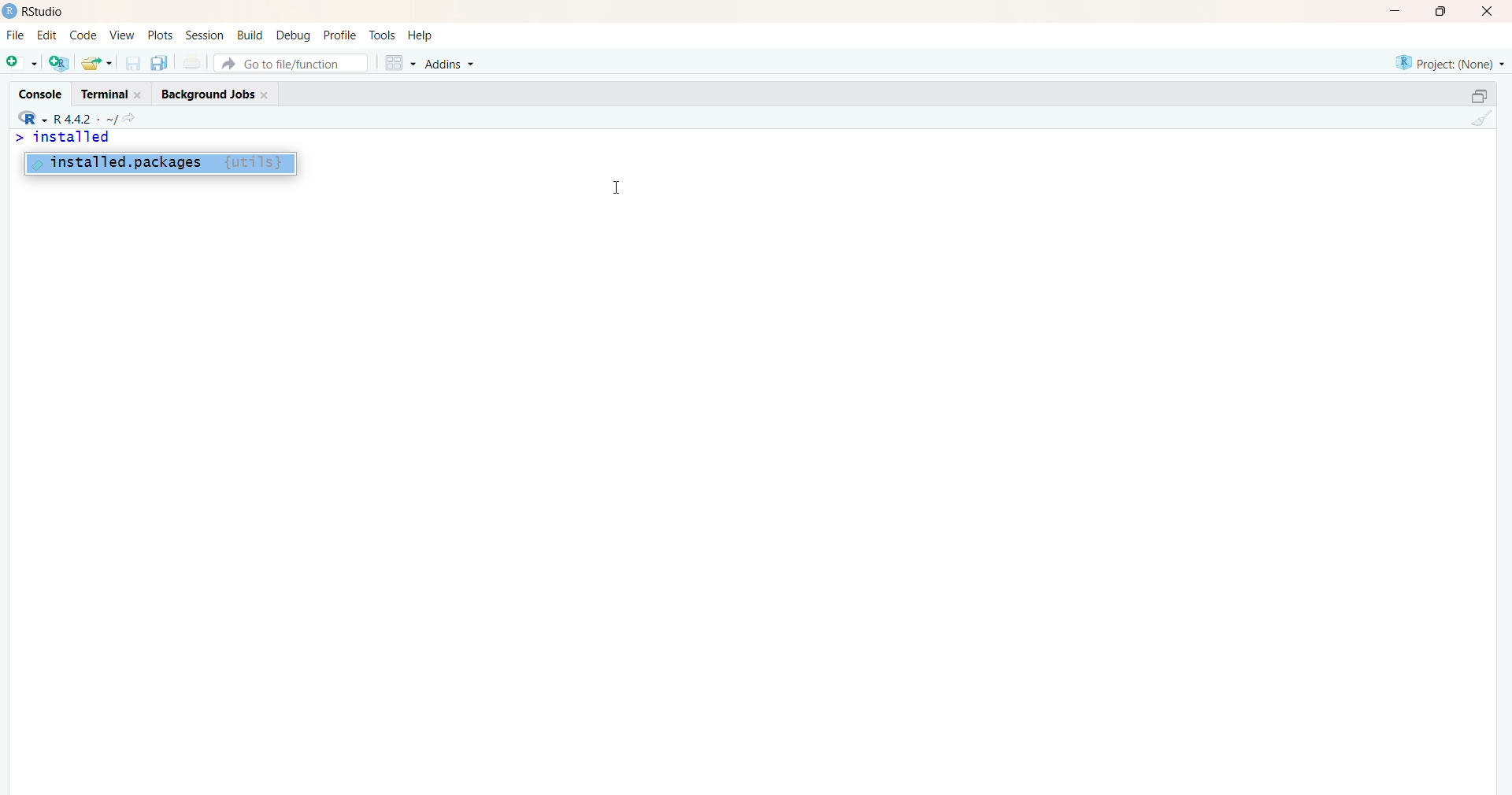  Describe the element at coordinates (111, 93) in the screenshot. I see `terminal` at that location.